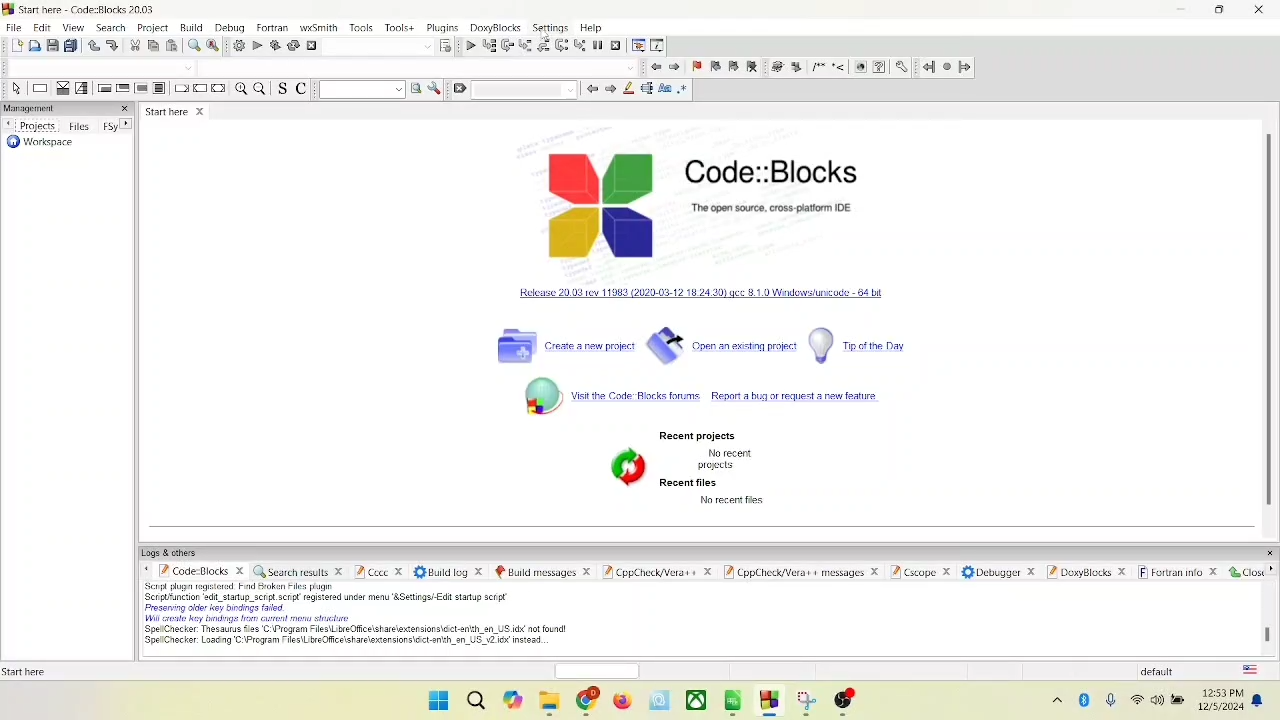 The height and width of the screenshot is (720, 1280). What do you see at coordinates (1179, 10) in the screenshot?
I see `minimize` at bounding box center [1179, 10].